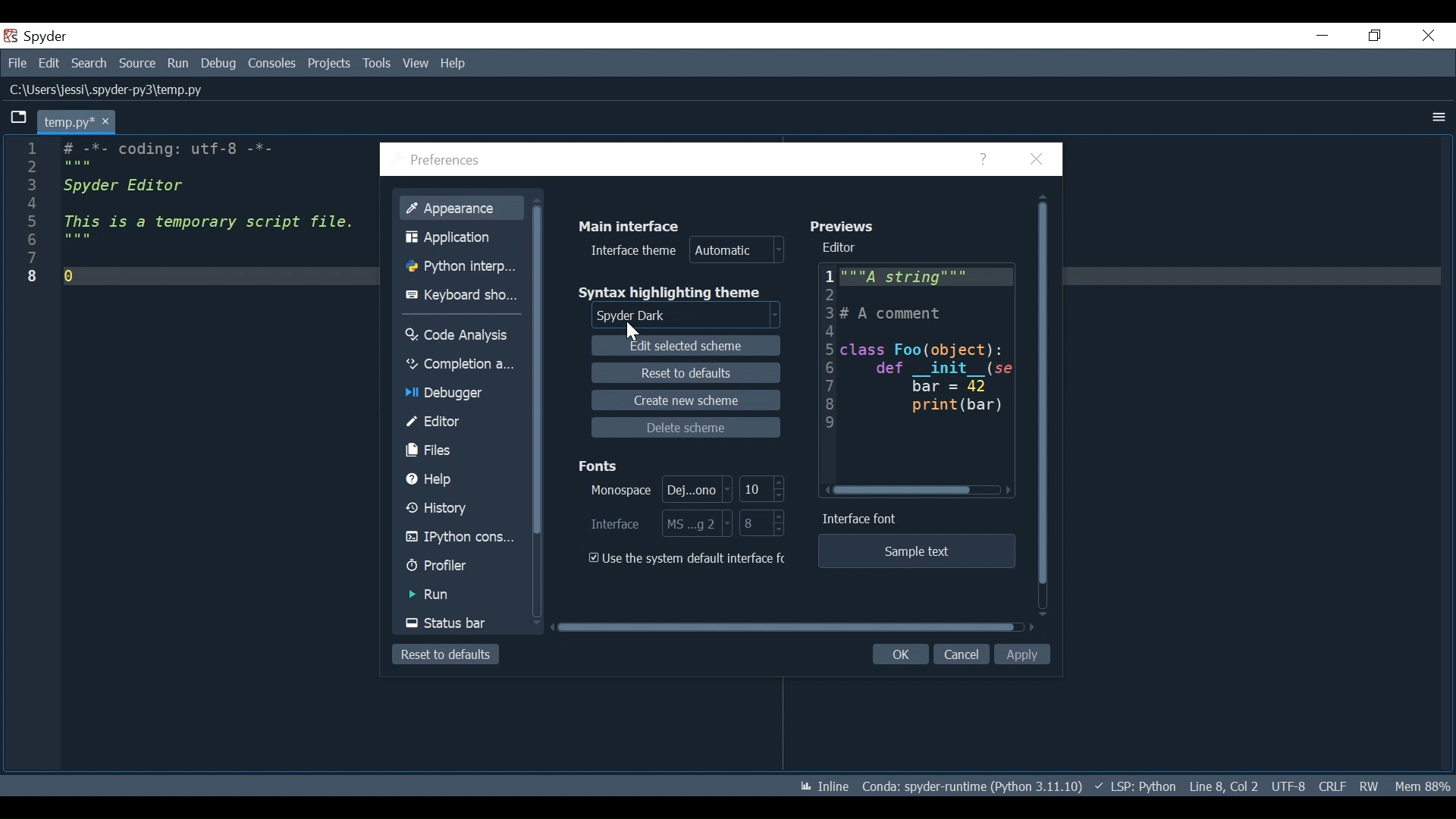 The height and width of the screenshot is (819, 1456). I want to click on Completion Analysis, so click(462, 365).